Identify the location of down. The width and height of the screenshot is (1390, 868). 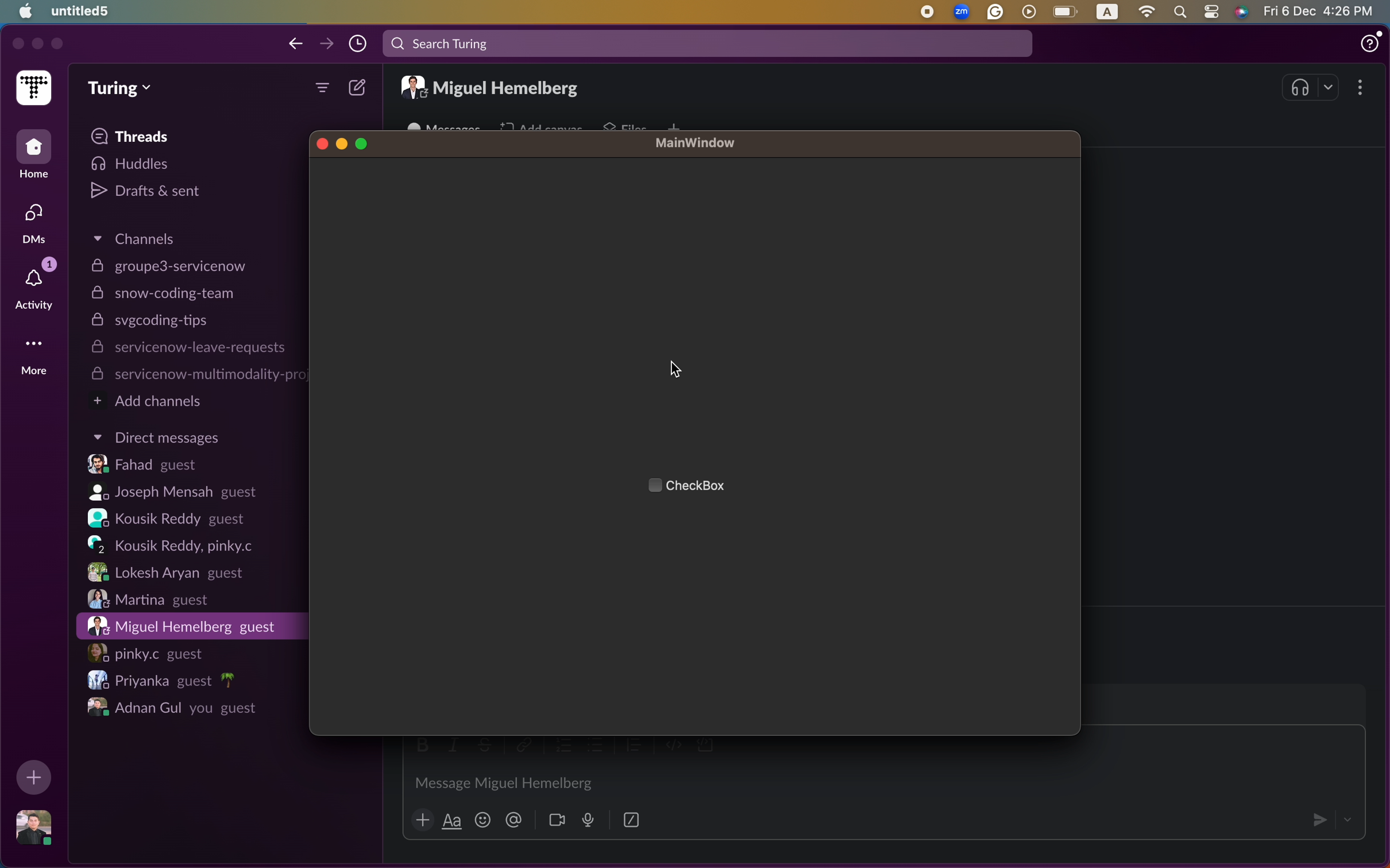
(1349, 817).